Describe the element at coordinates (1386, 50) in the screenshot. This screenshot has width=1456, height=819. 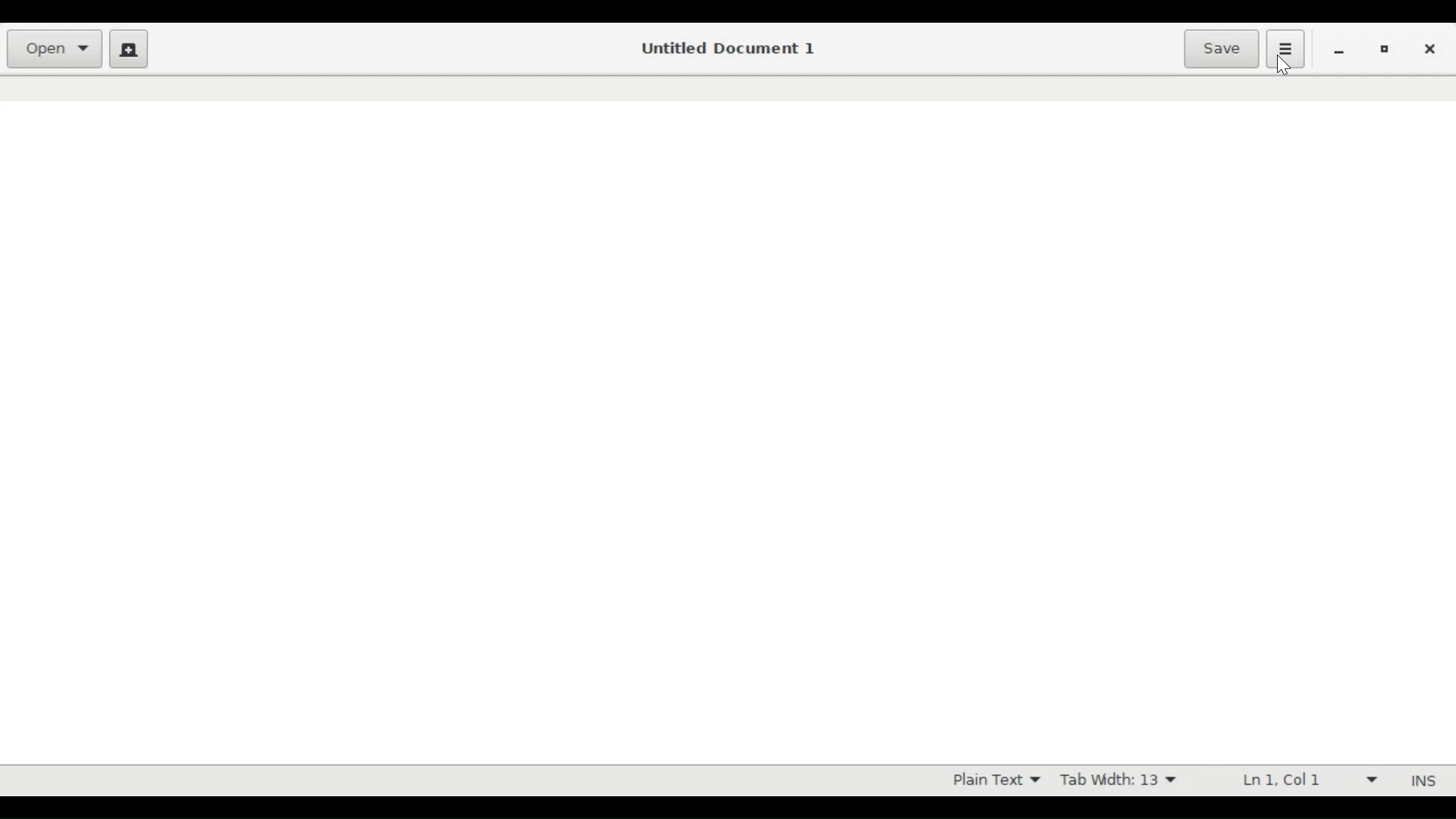
I see `Restore` at that location.